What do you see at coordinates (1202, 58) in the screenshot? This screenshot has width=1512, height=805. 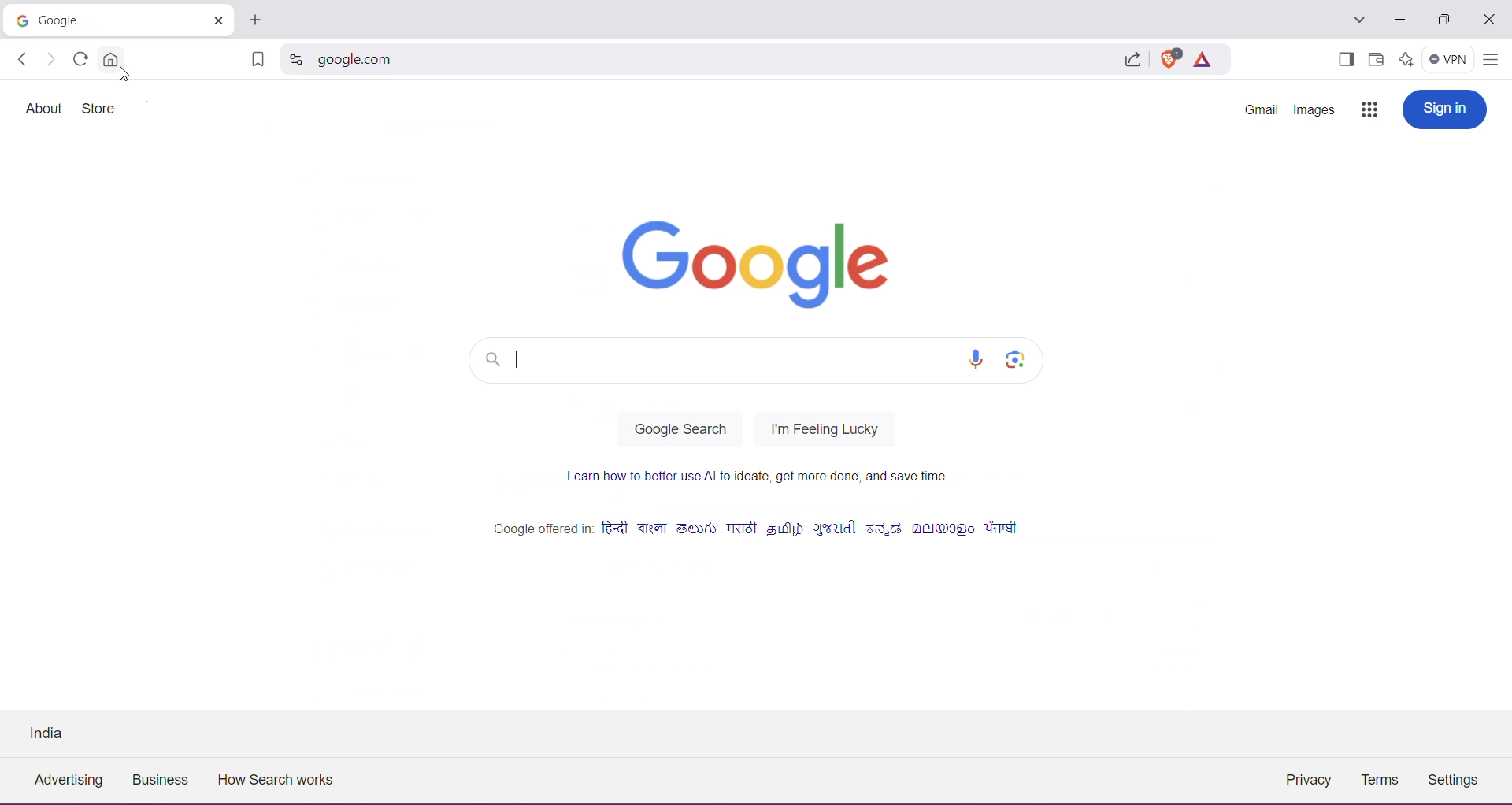 I see `Earn tokens for private ads you see in Brave` at bounding box center [1202, 58].